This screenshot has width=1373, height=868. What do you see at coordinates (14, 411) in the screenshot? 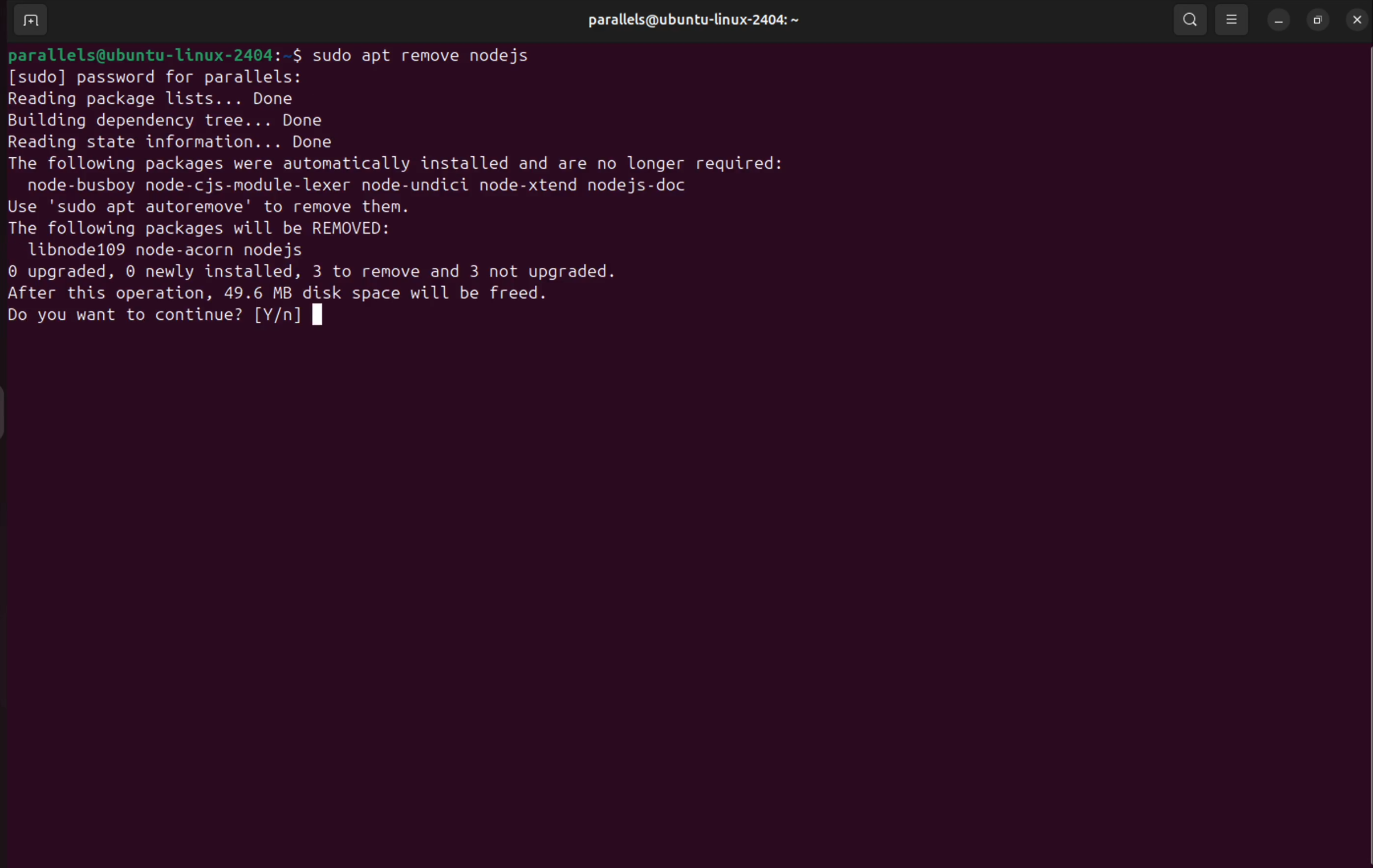
I see `Toggle button` at bounding box center [14, 411].